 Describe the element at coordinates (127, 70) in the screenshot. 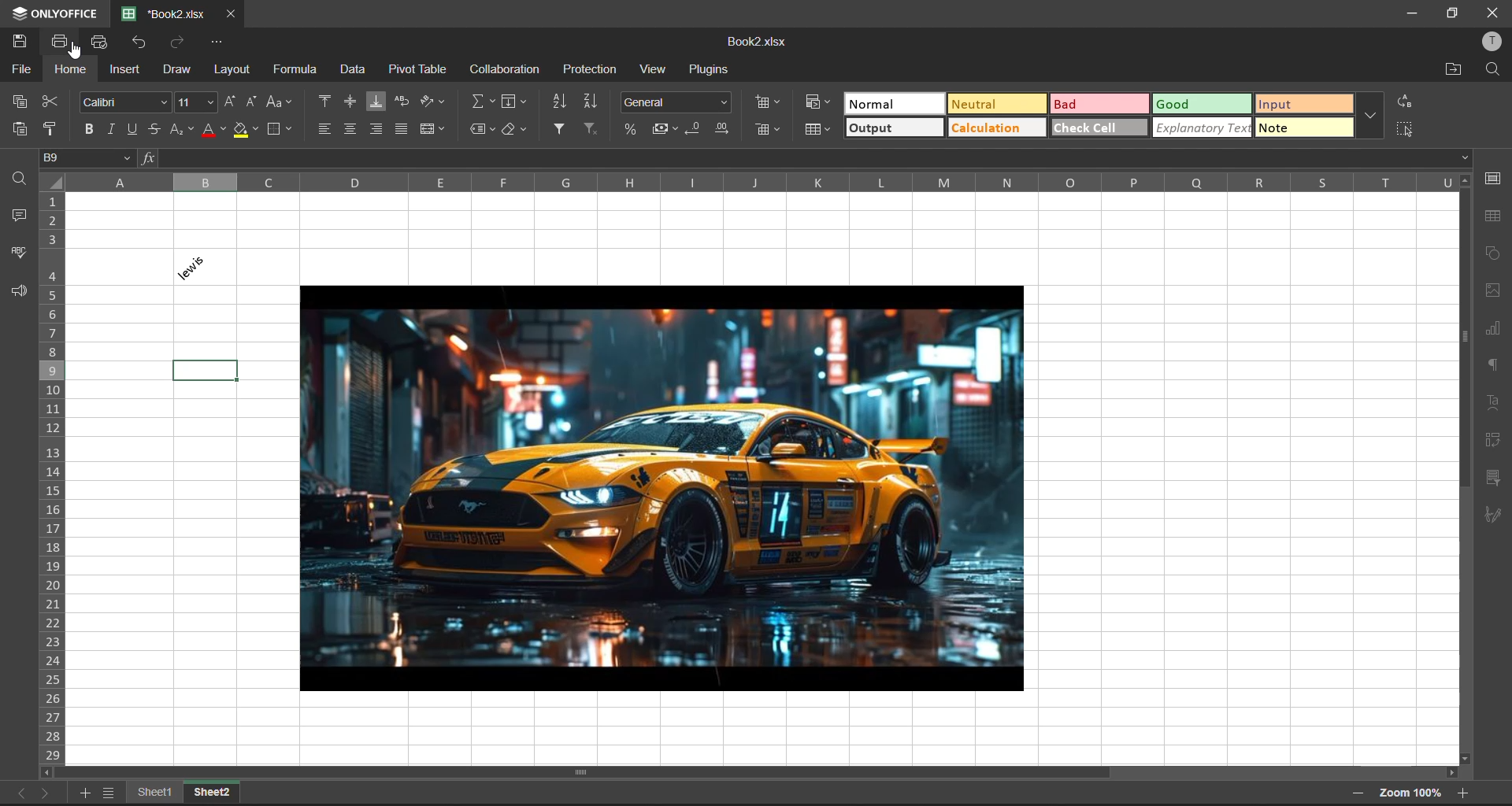

I see `insert` at that location.